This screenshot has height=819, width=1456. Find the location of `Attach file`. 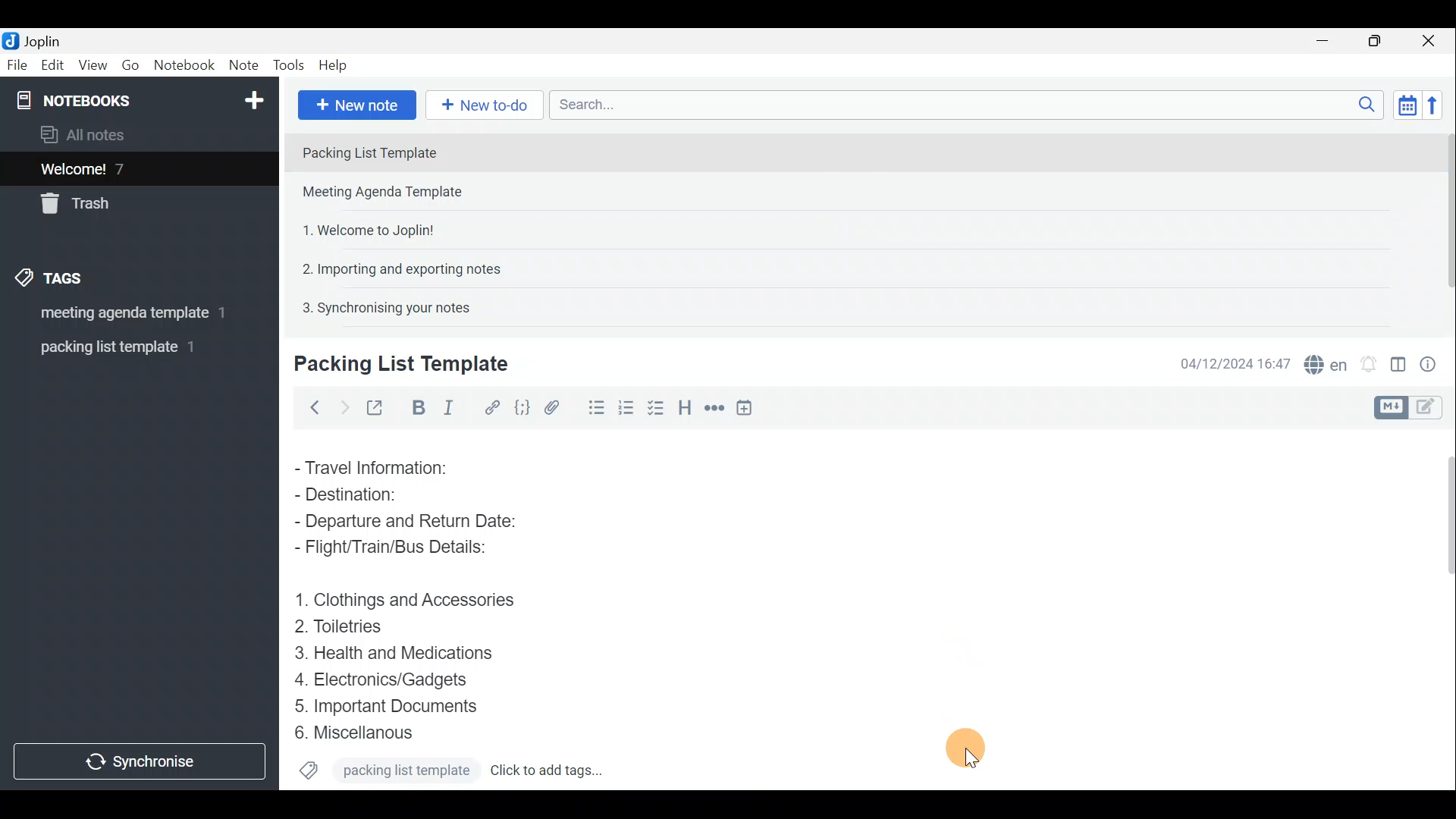

Attach file is located at coordinates (552, 406).